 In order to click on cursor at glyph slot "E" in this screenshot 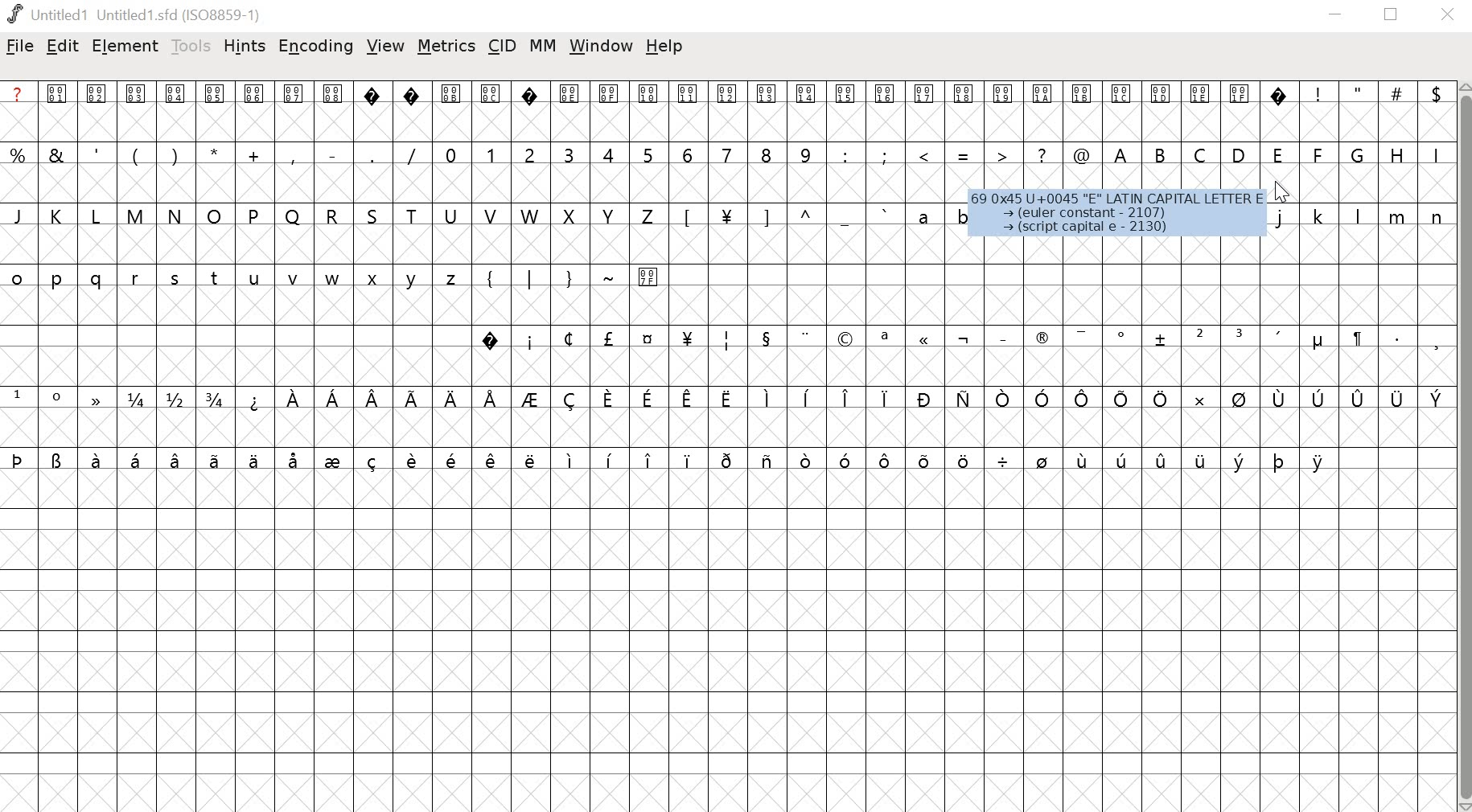, I will do `click(1294, 193)`.